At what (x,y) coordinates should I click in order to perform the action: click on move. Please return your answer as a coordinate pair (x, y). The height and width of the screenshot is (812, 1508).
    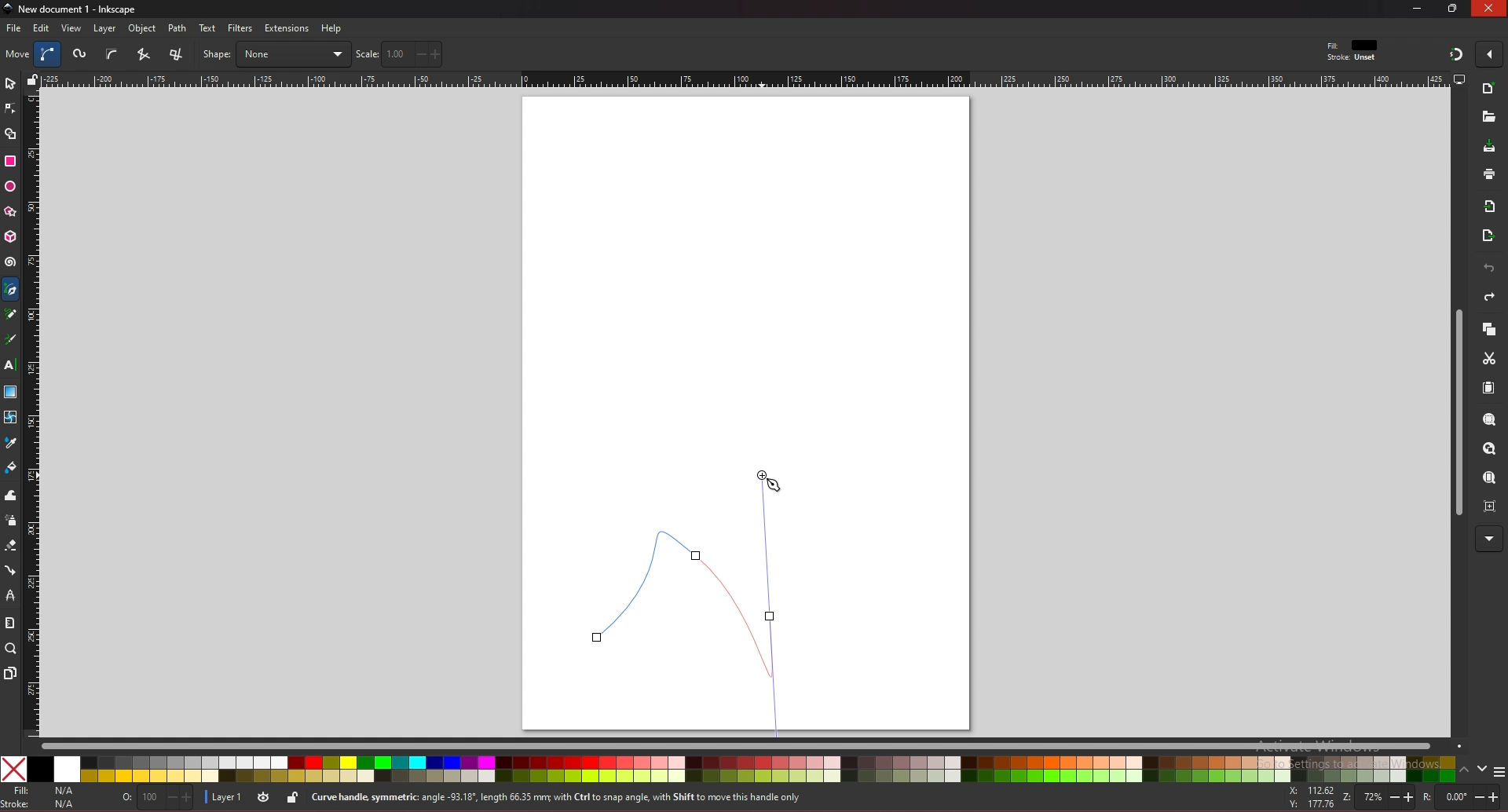
    Looking at the image, I should click on (18, 53).